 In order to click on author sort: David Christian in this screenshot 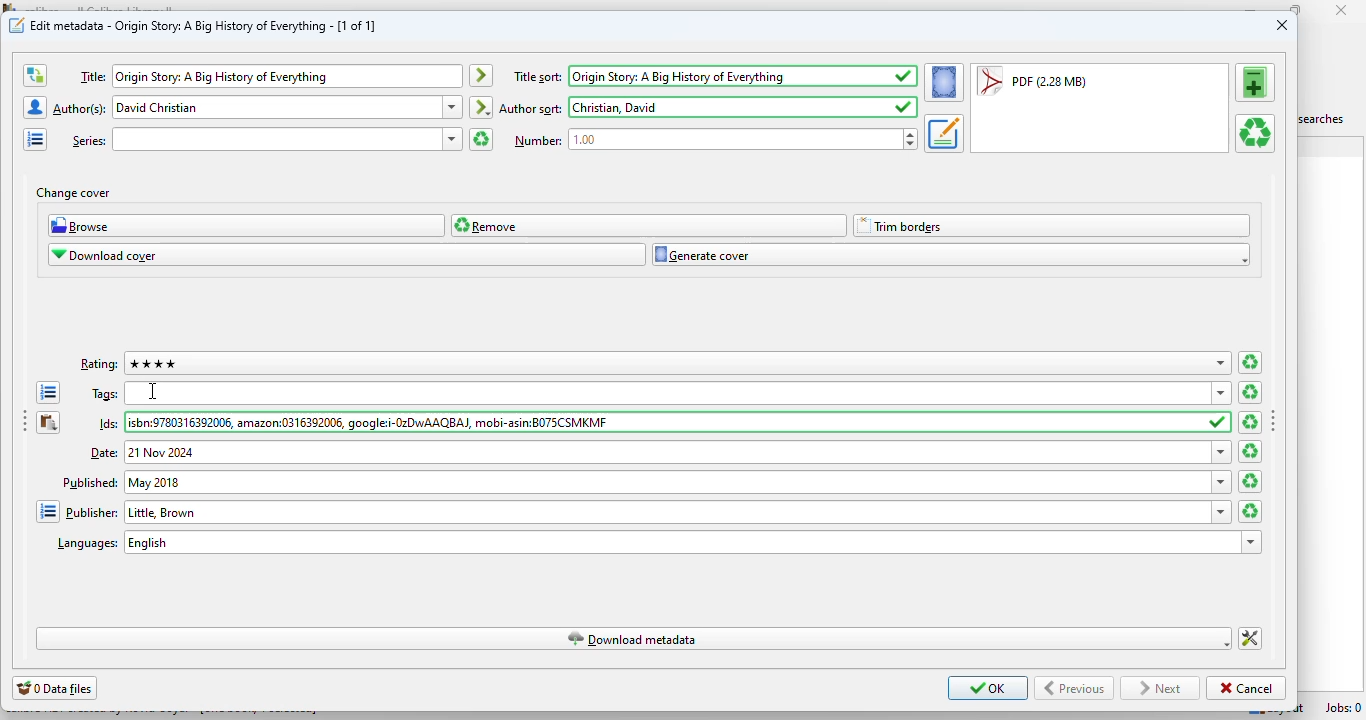, I will do `click(728, 107)`.